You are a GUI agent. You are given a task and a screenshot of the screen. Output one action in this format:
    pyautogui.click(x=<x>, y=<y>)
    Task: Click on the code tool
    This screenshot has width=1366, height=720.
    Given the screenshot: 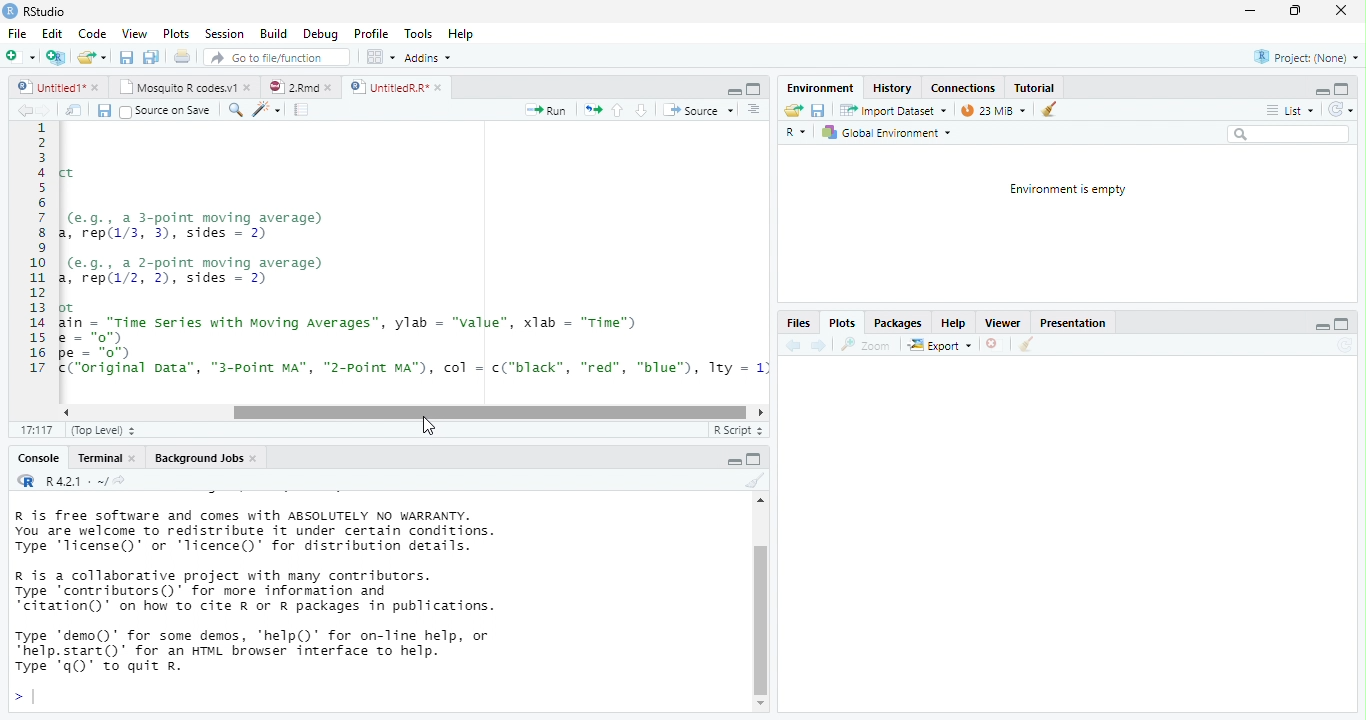 What is the action you would take?
    pyautogui.click(x=268, y=109)
    